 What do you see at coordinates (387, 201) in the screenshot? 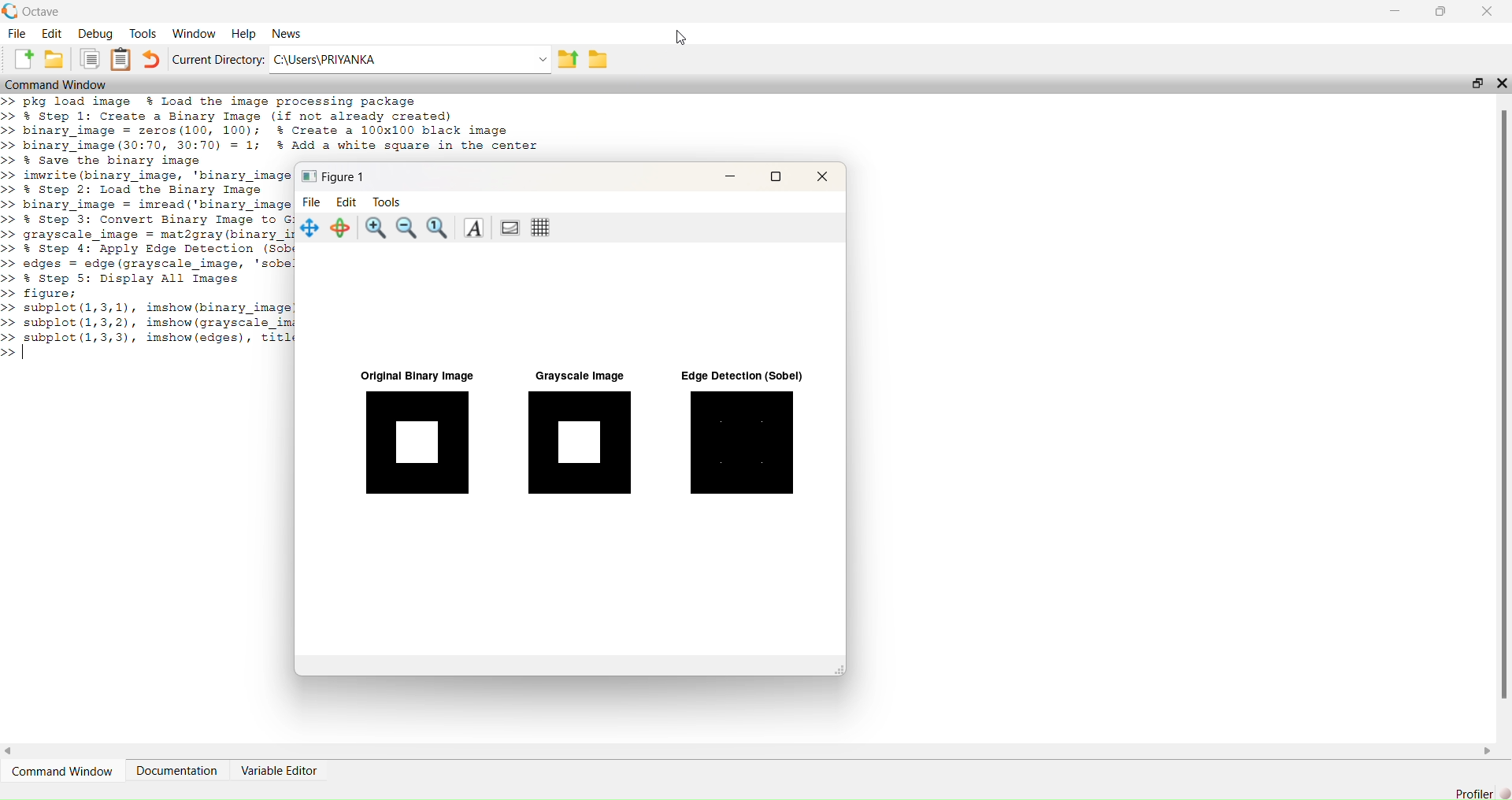
I see `tools` at bounding box center [387, 201].